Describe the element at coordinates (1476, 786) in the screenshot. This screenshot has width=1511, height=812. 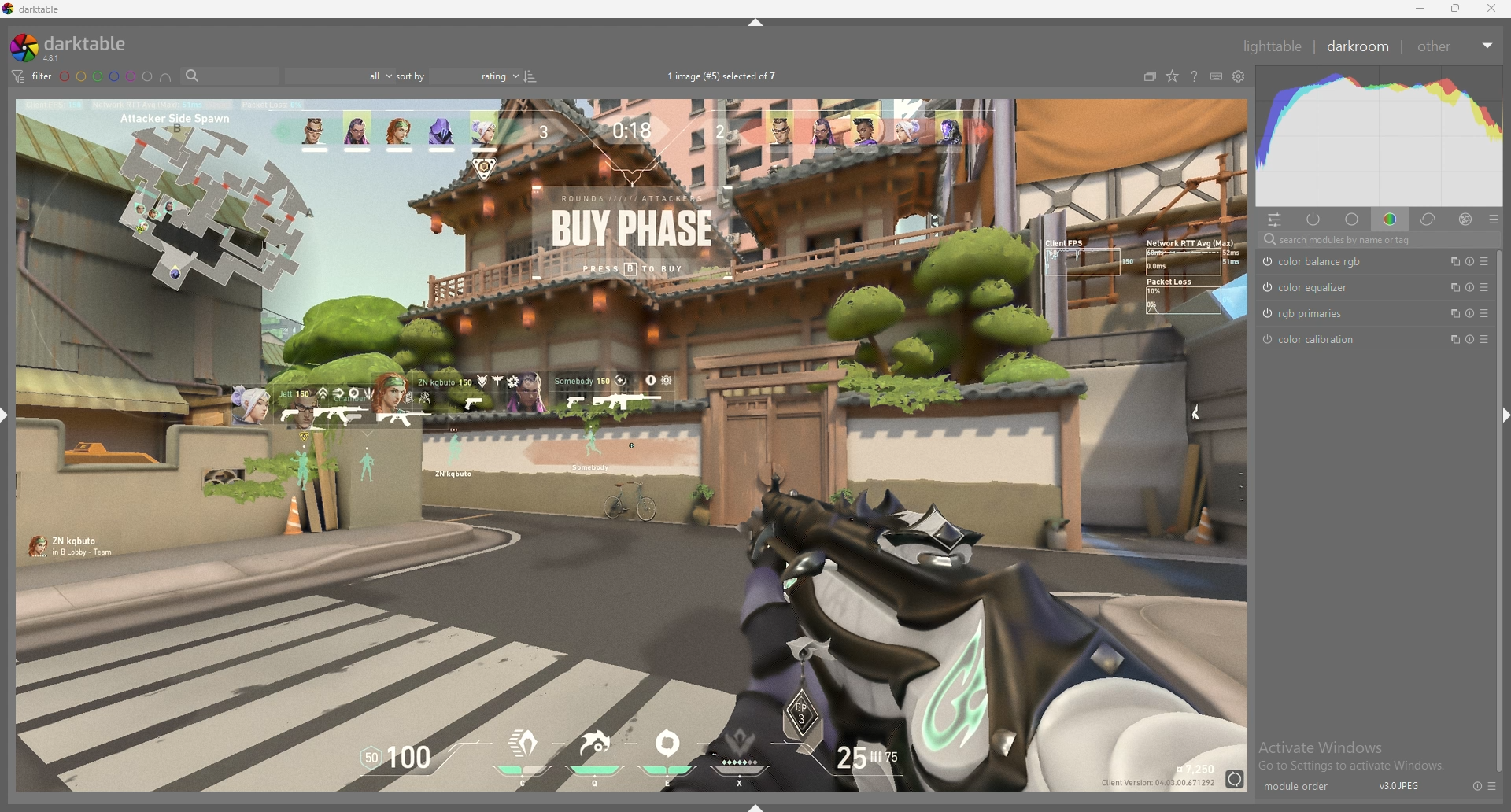
I see `reset` at that location.